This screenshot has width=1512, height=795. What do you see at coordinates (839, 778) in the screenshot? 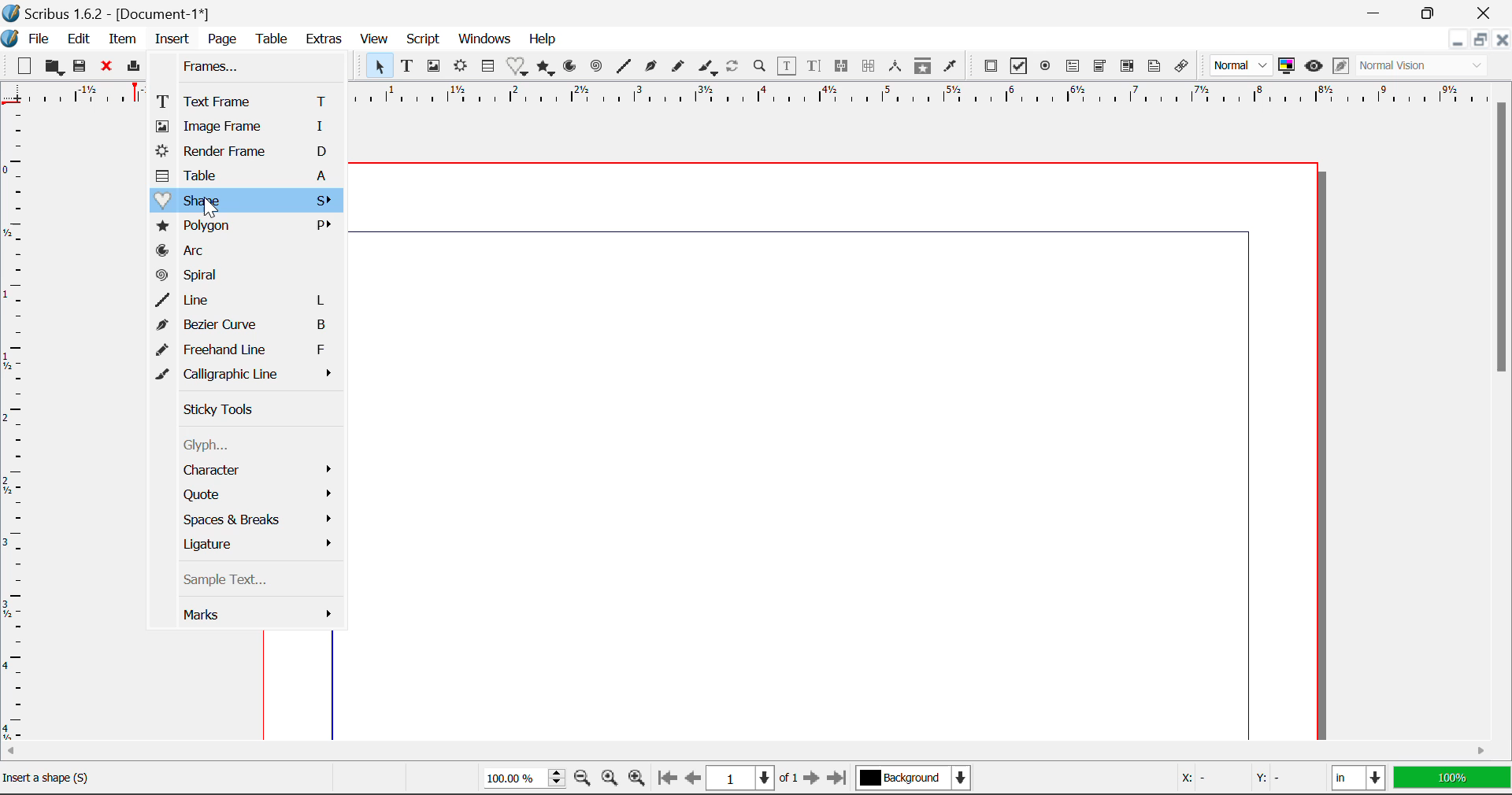
I see `Last Page` at bounding box center [839, 778].